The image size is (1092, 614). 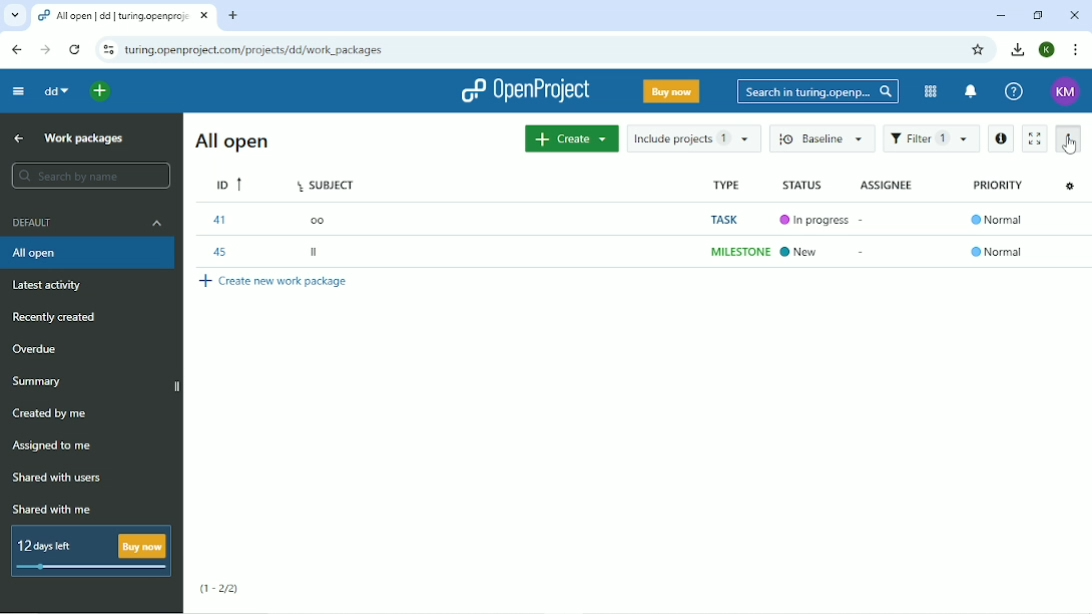 What do you see at coordinates (89, 176) in the screenshot?
I see `Search by name` at bounding box center [89, 176].